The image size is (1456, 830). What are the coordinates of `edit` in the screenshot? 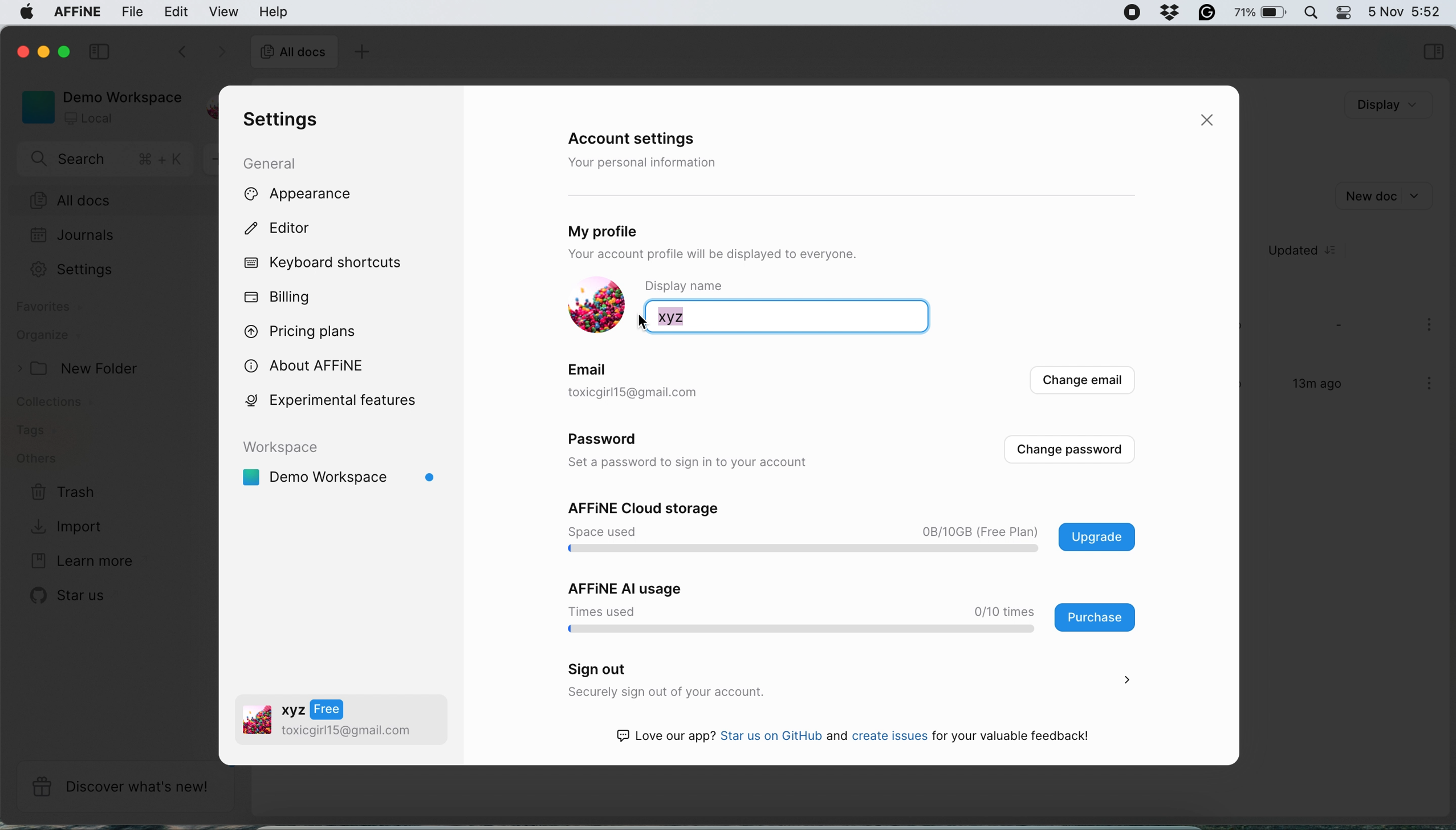 It's located at (177, 11).